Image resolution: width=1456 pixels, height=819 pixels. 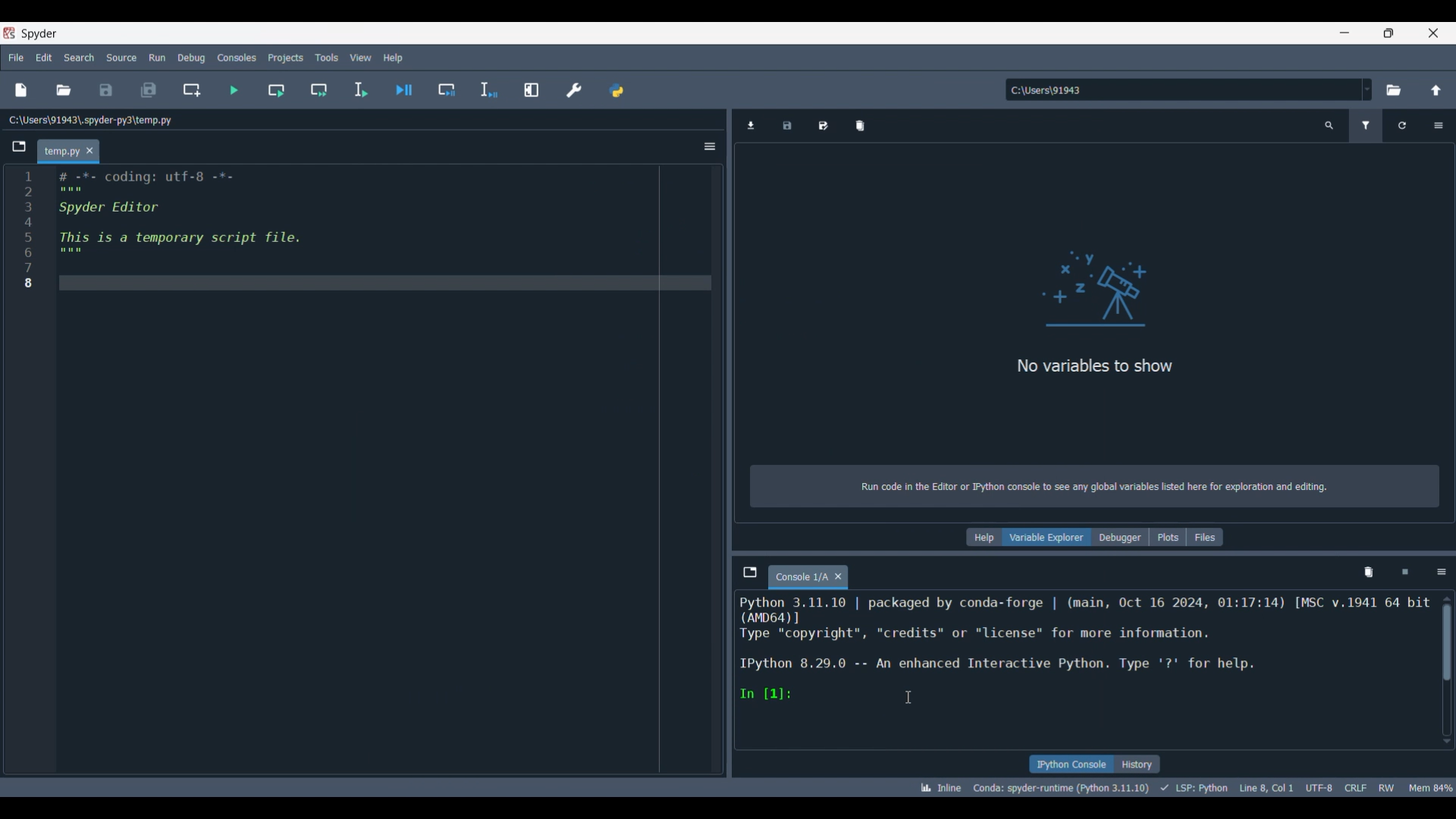 I want to click on Options, so click(x=1441, y=573).